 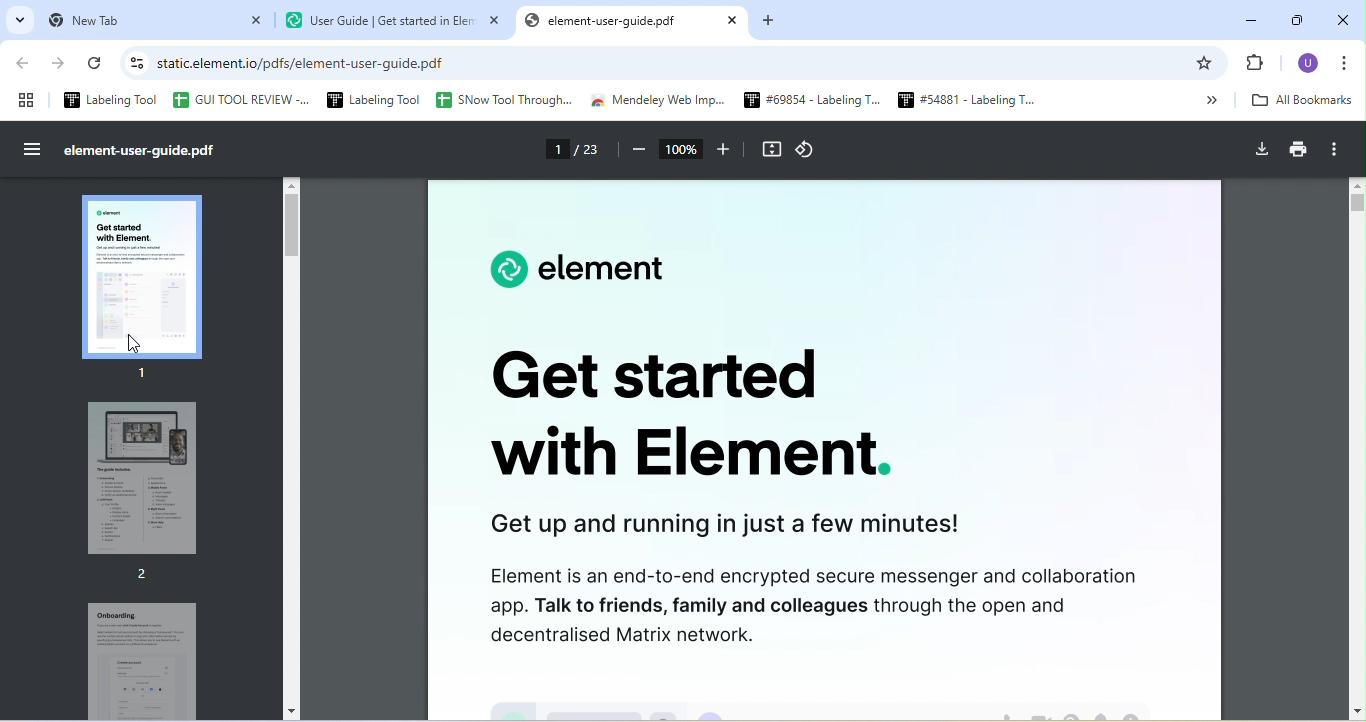 What do you see at coordinates (131, 495) in the screenshot?
I see `Page Preview 2` at bounding box center [131, 495].